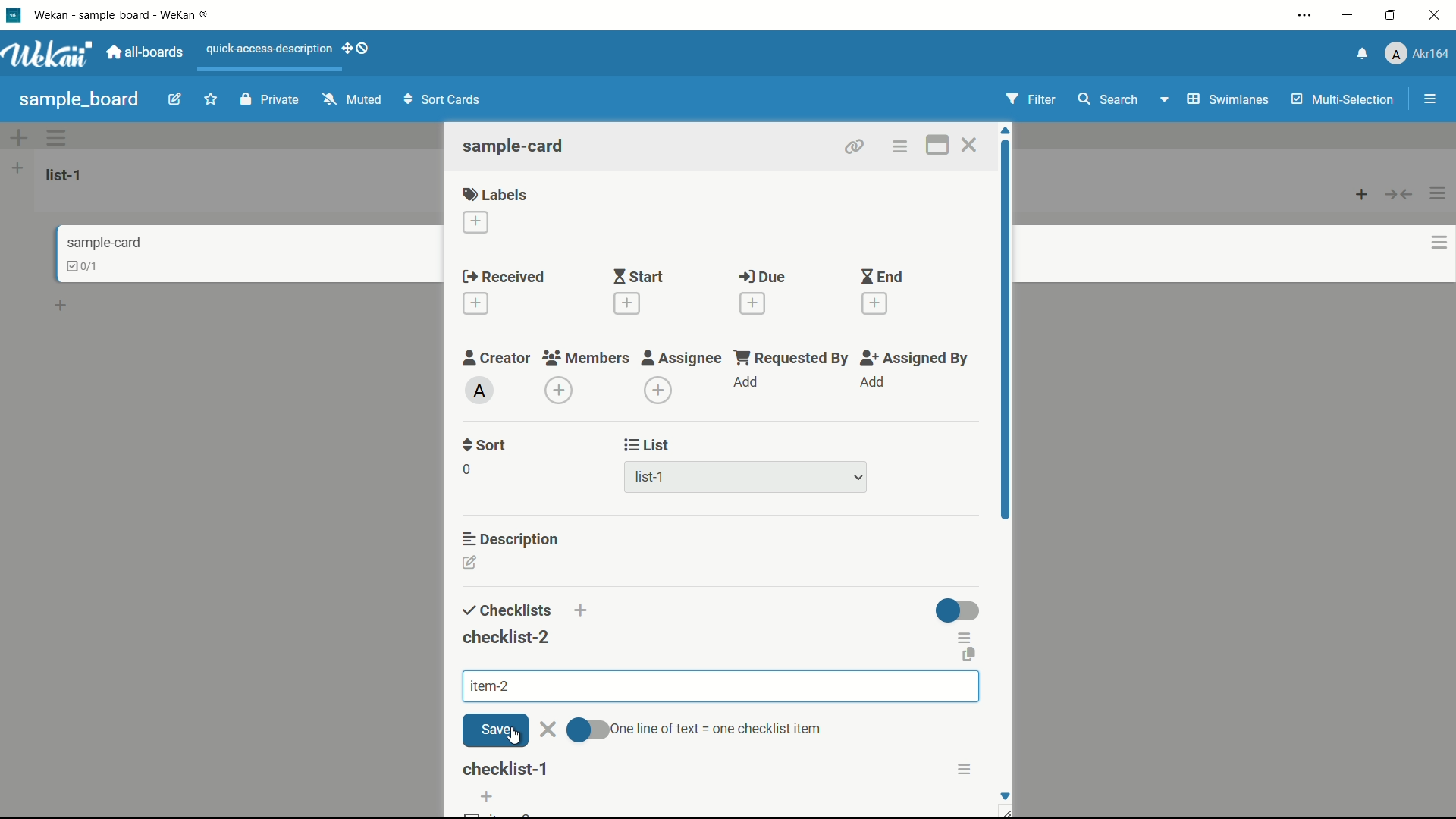  What do you see at coordinates (270, 101) in the screenshot?
I see `private` at bounding box center [270, 101].